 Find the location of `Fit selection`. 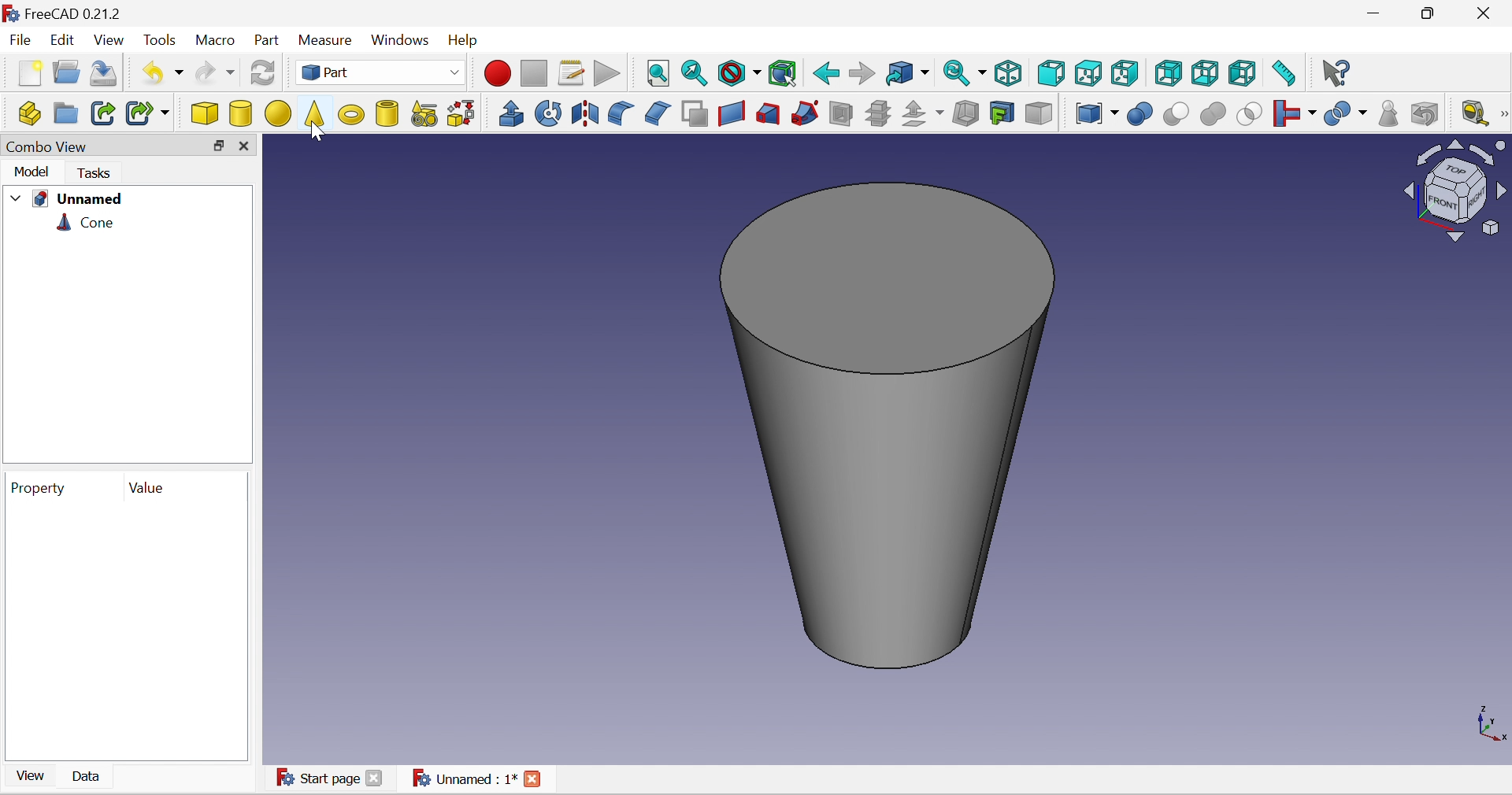

Fit selection is located at coordinates (695, 73).